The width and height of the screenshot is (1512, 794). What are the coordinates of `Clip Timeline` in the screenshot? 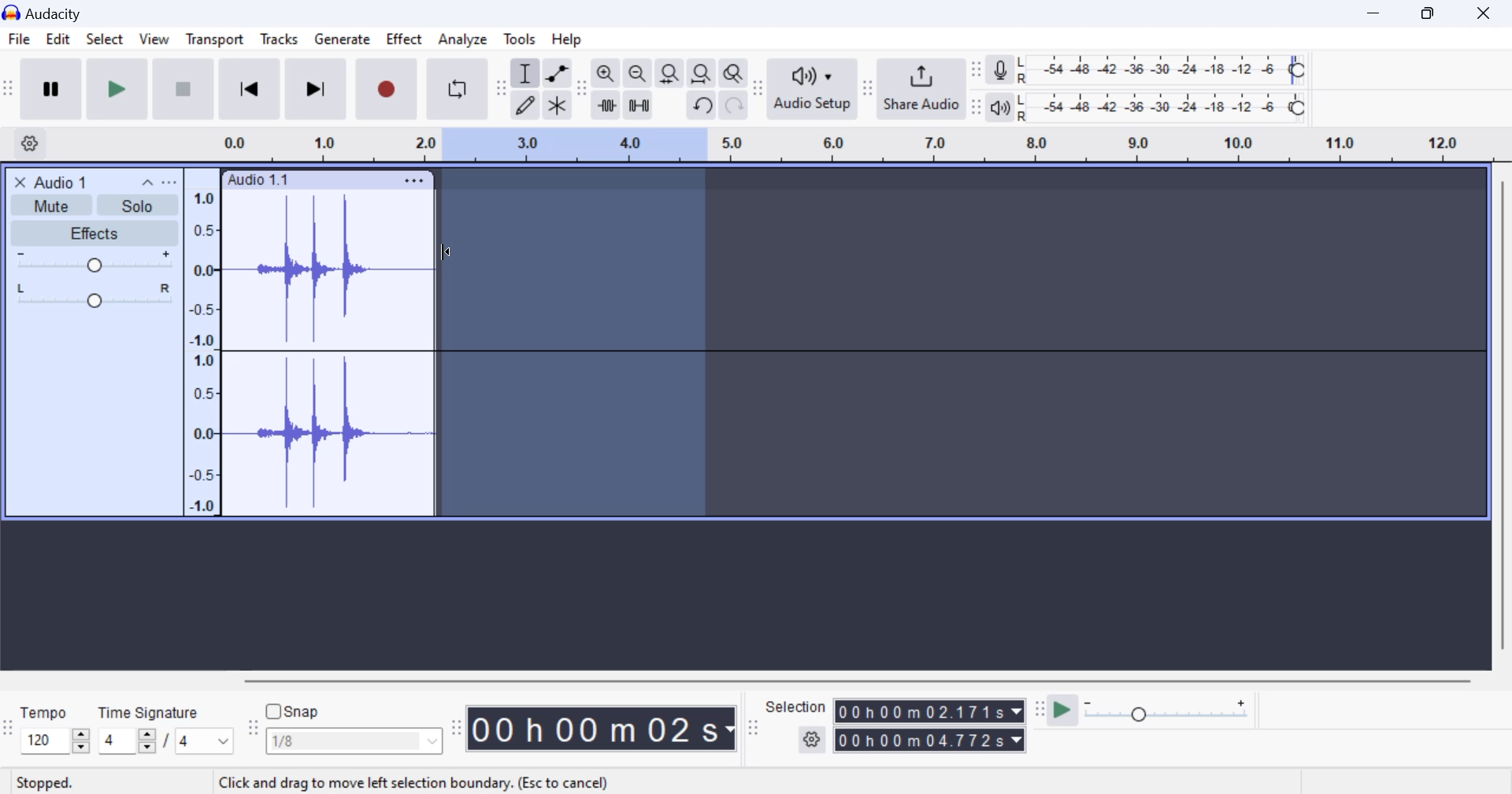 It's located at (841, 147).